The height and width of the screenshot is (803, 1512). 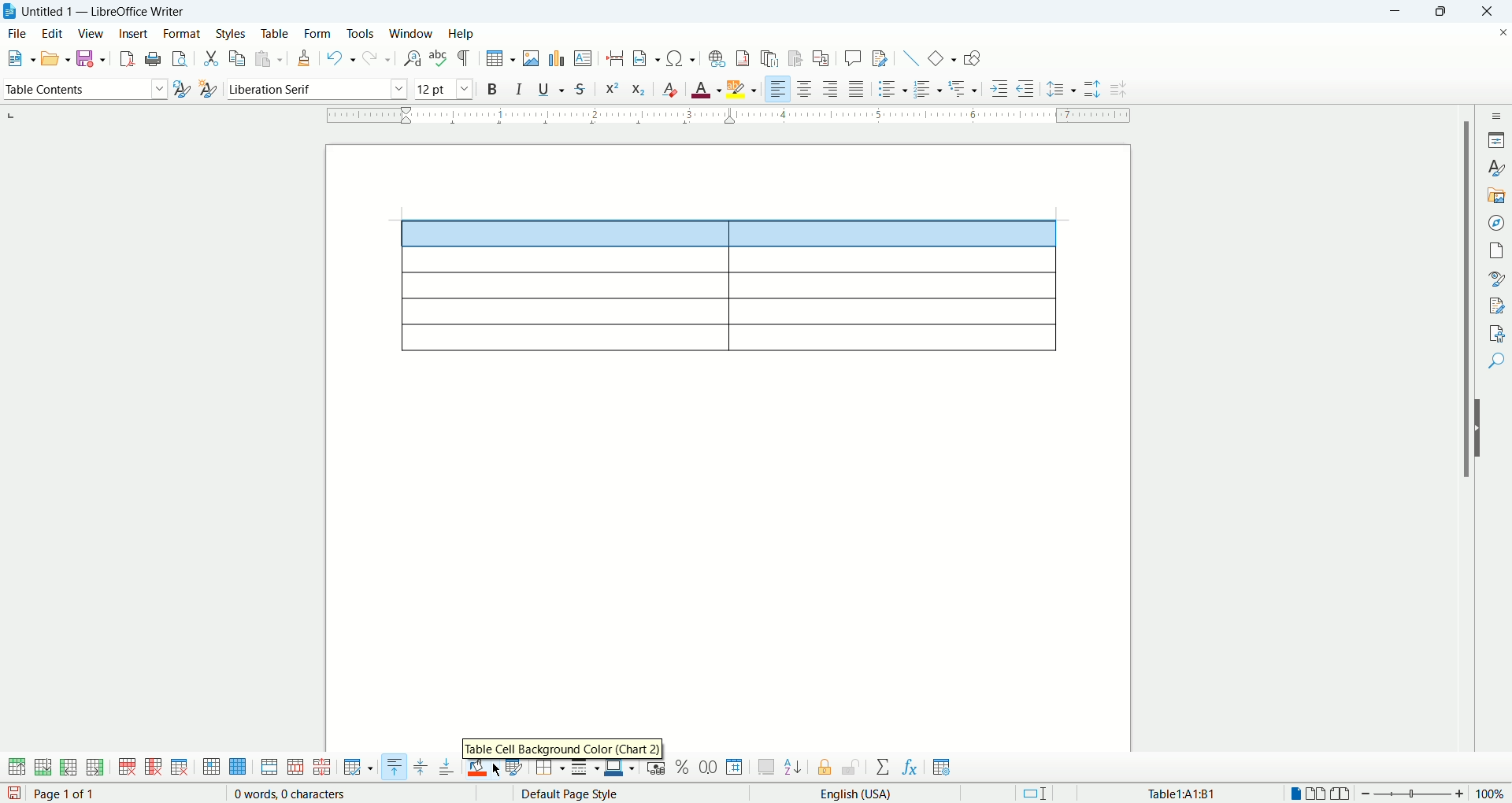 I want to click on number format, so click(x=736, y=766).